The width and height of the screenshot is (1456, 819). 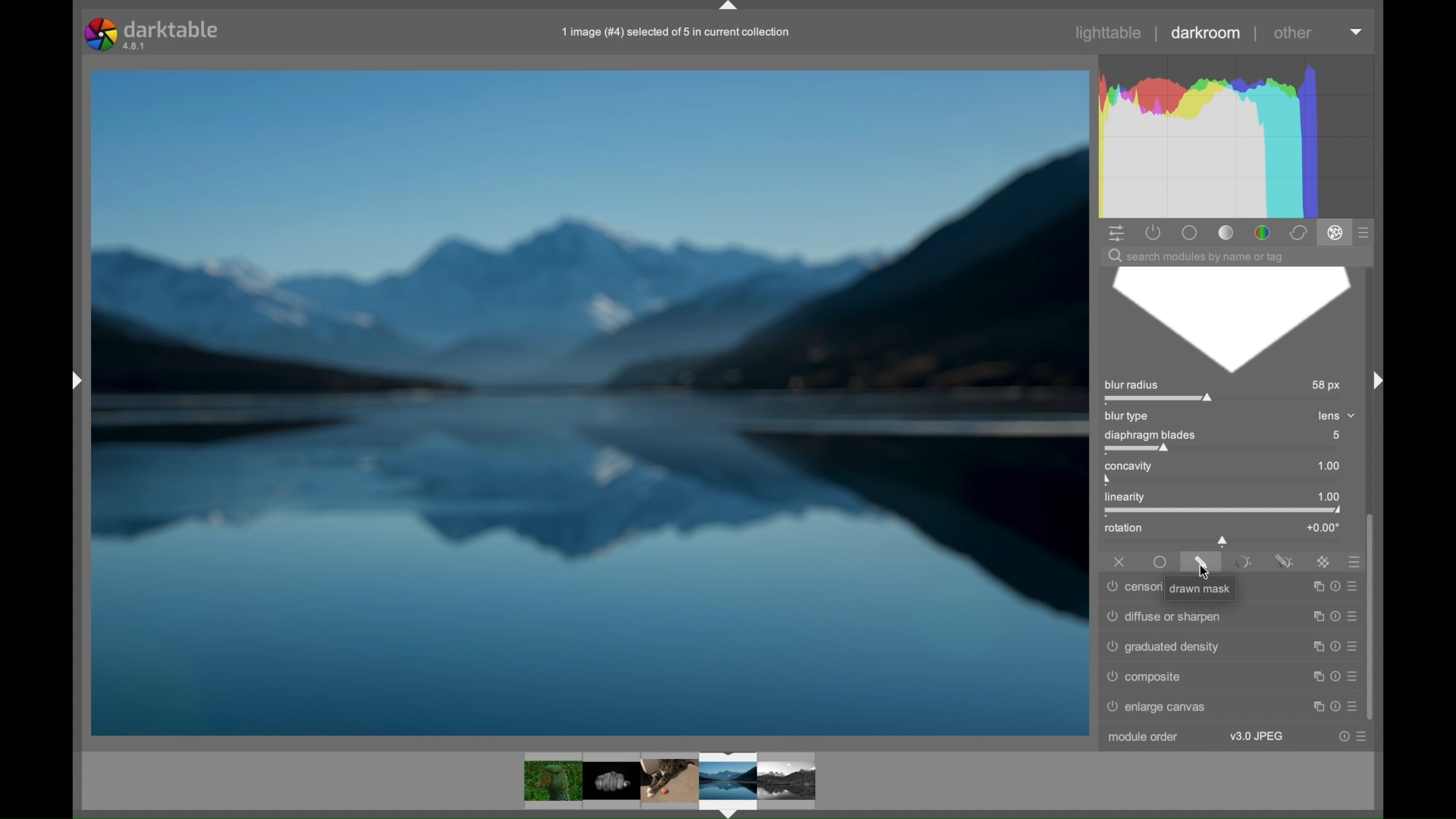 What do you see at coordinates (1298, 233) in the screenshot?
I see `correct` at bounding box center [1298, 233].